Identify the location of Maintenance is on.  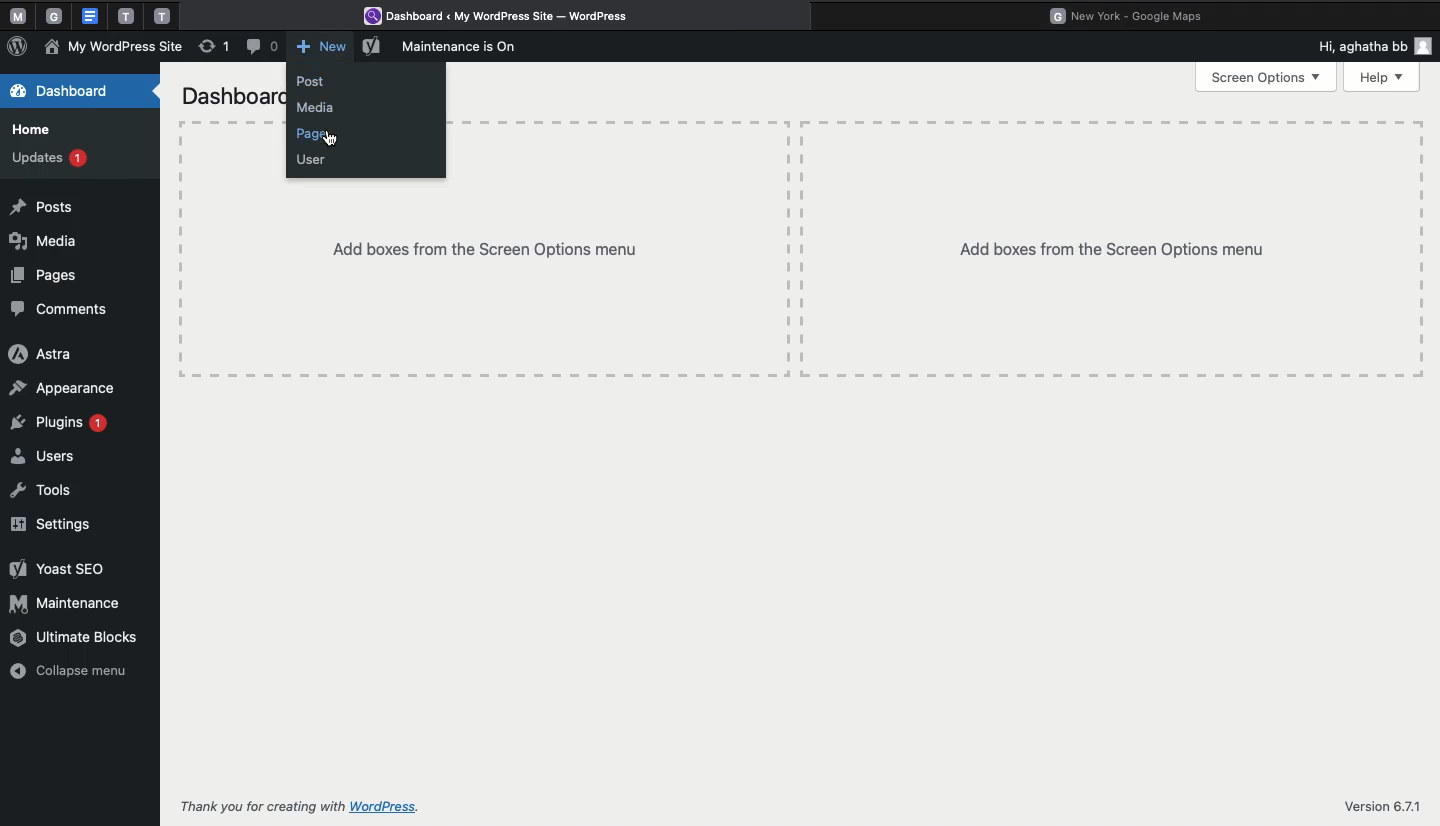
(466, 47).